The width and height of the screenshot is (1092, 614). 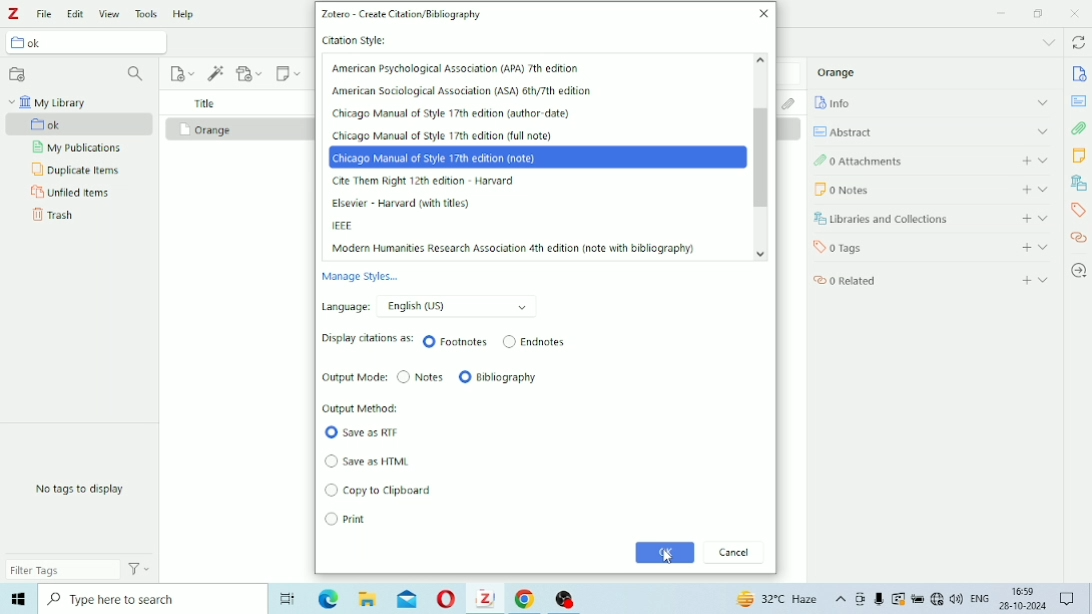 I want to click on Output Method:, so click(x=362, y=408).